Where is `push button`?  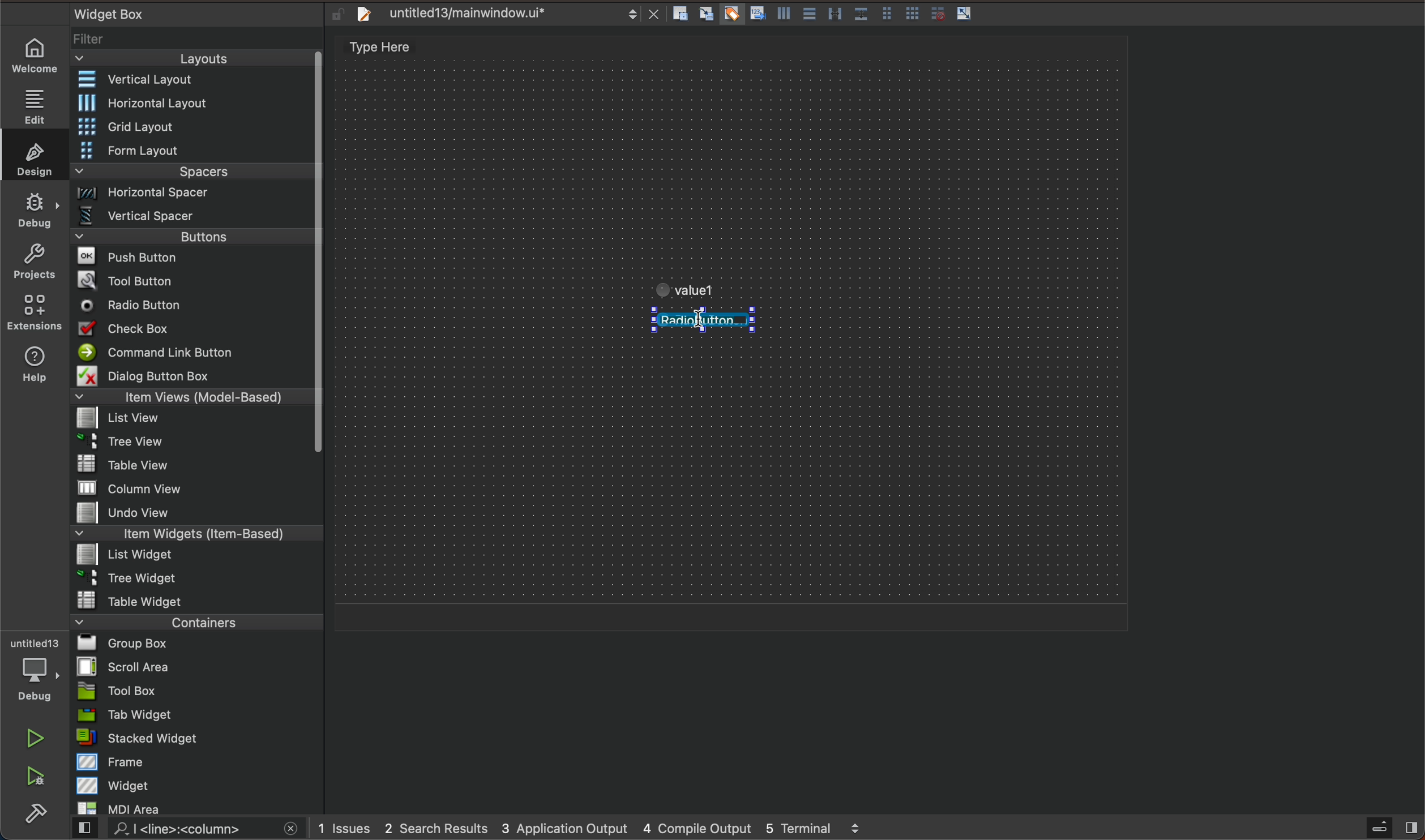
push button is located at coordinates (192, 259).